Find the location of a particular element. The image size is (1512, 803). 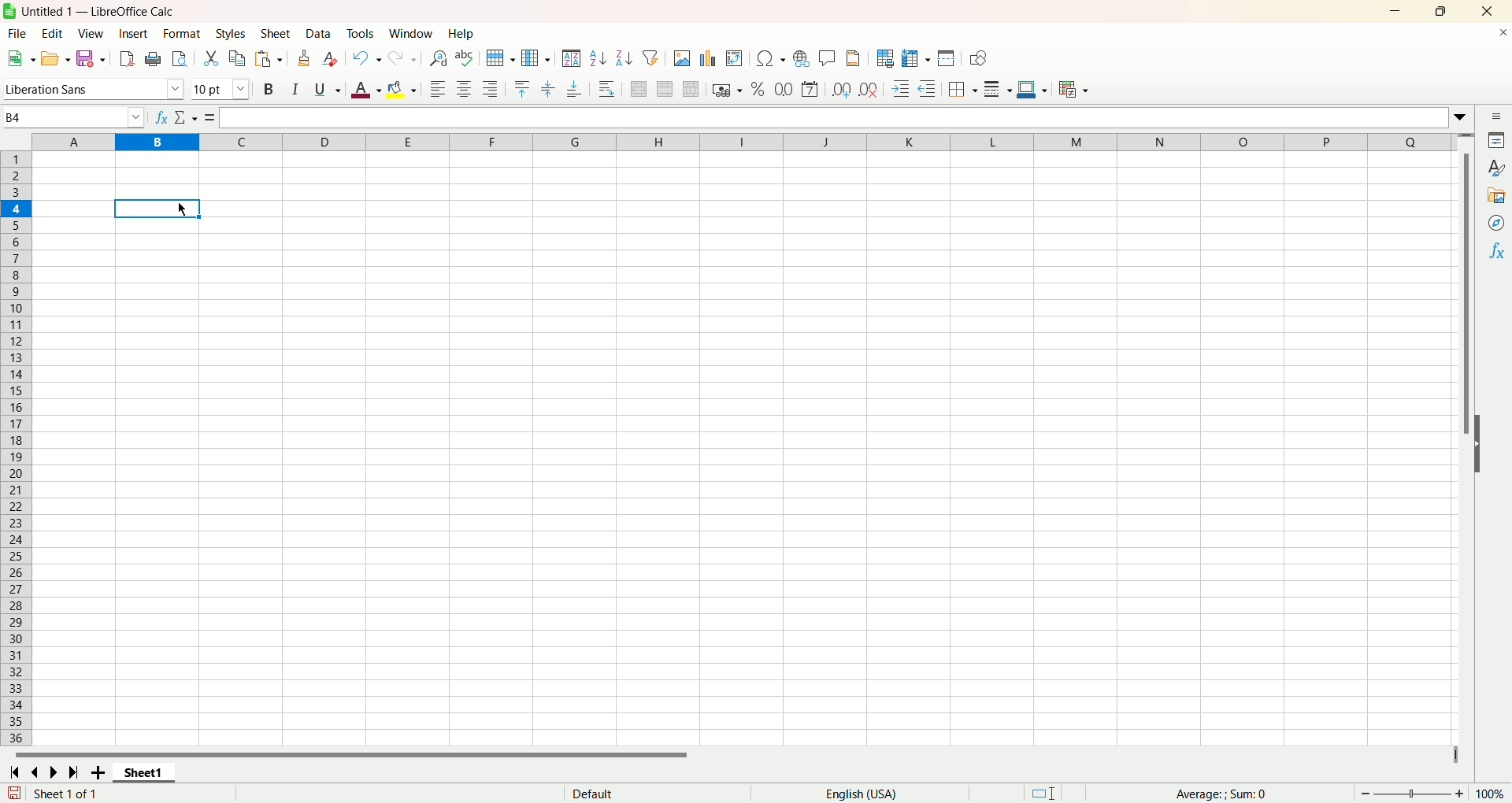

border color is located at coordinates (1032, 91).